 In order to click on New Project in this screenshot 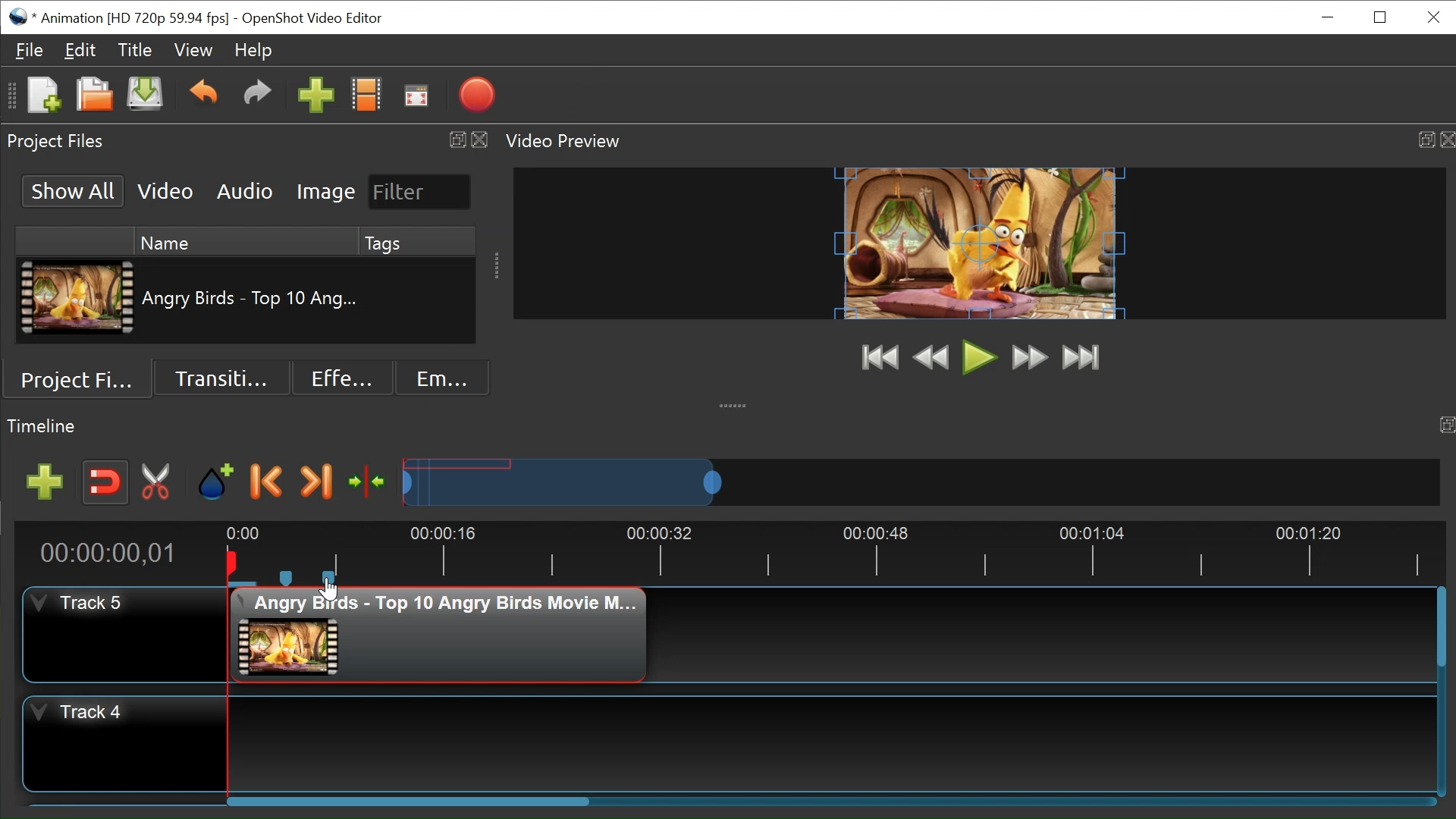, I will do `click(43, 96)`.